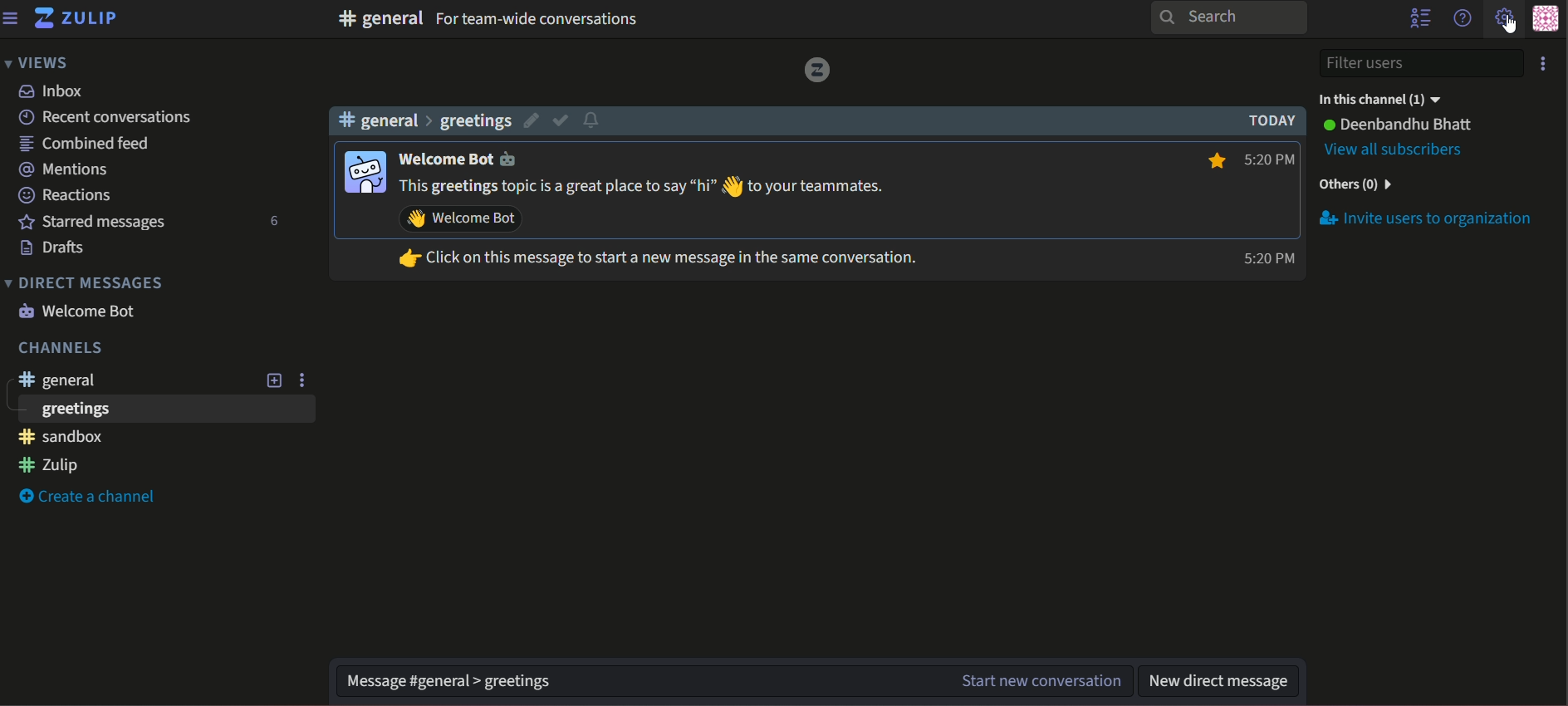  Describe the element at coordinates (1420, 62) in the screenshot. I see `filters` at that location.